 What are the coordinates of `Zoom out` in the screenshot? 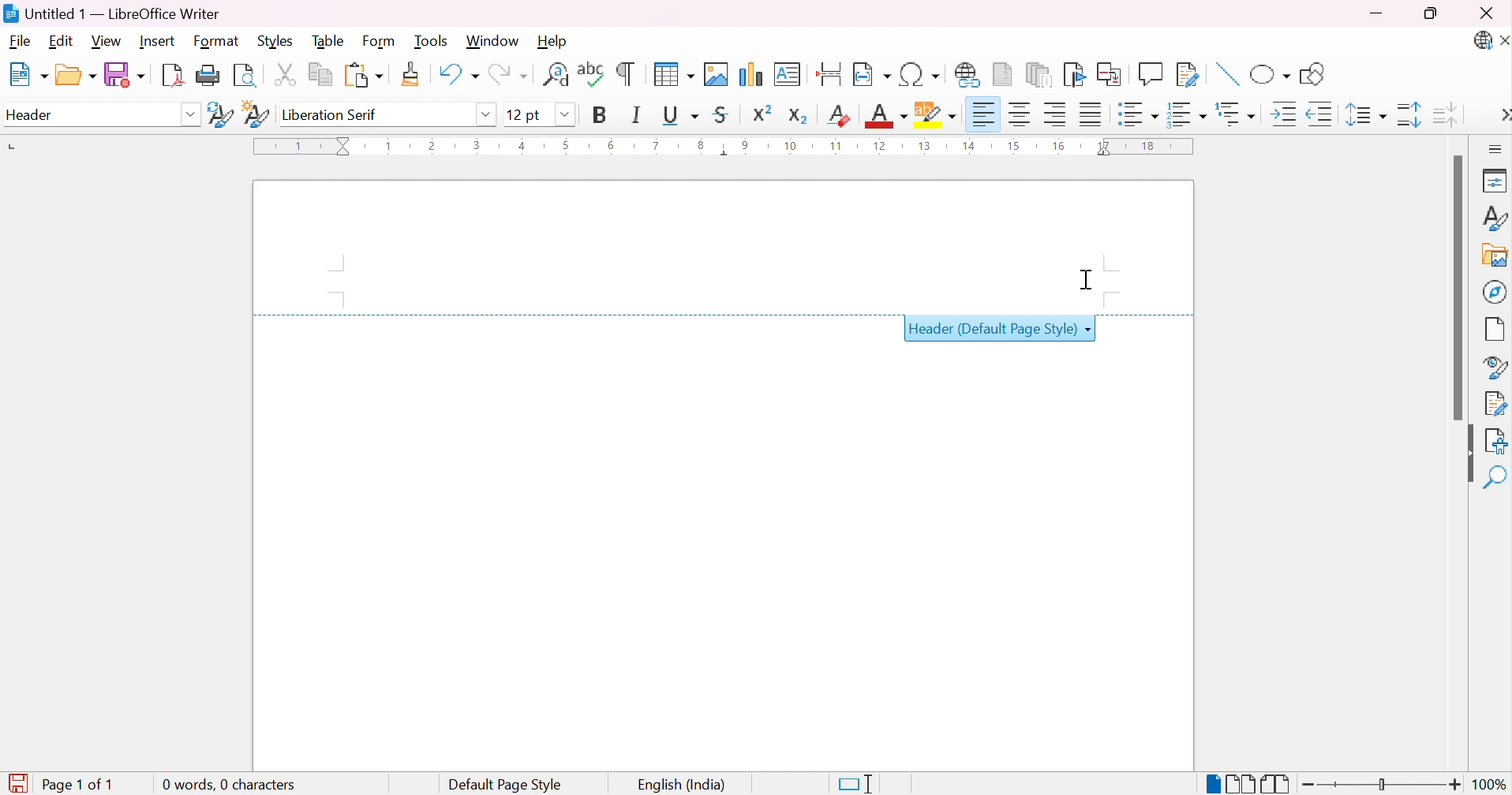 It's located at (1309, 786).